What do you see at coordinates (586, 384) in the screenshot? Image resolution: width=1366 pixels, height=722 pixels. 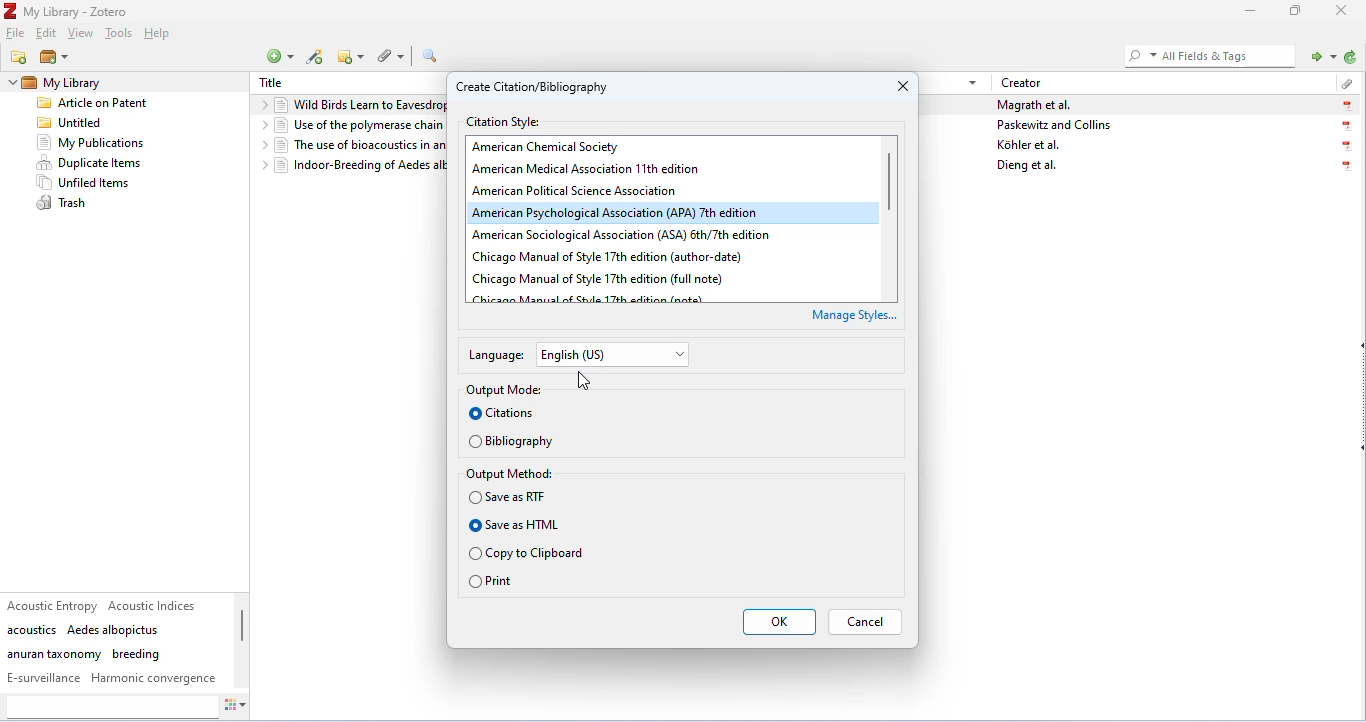 I see `cursor` at bounding box center [586, 384].